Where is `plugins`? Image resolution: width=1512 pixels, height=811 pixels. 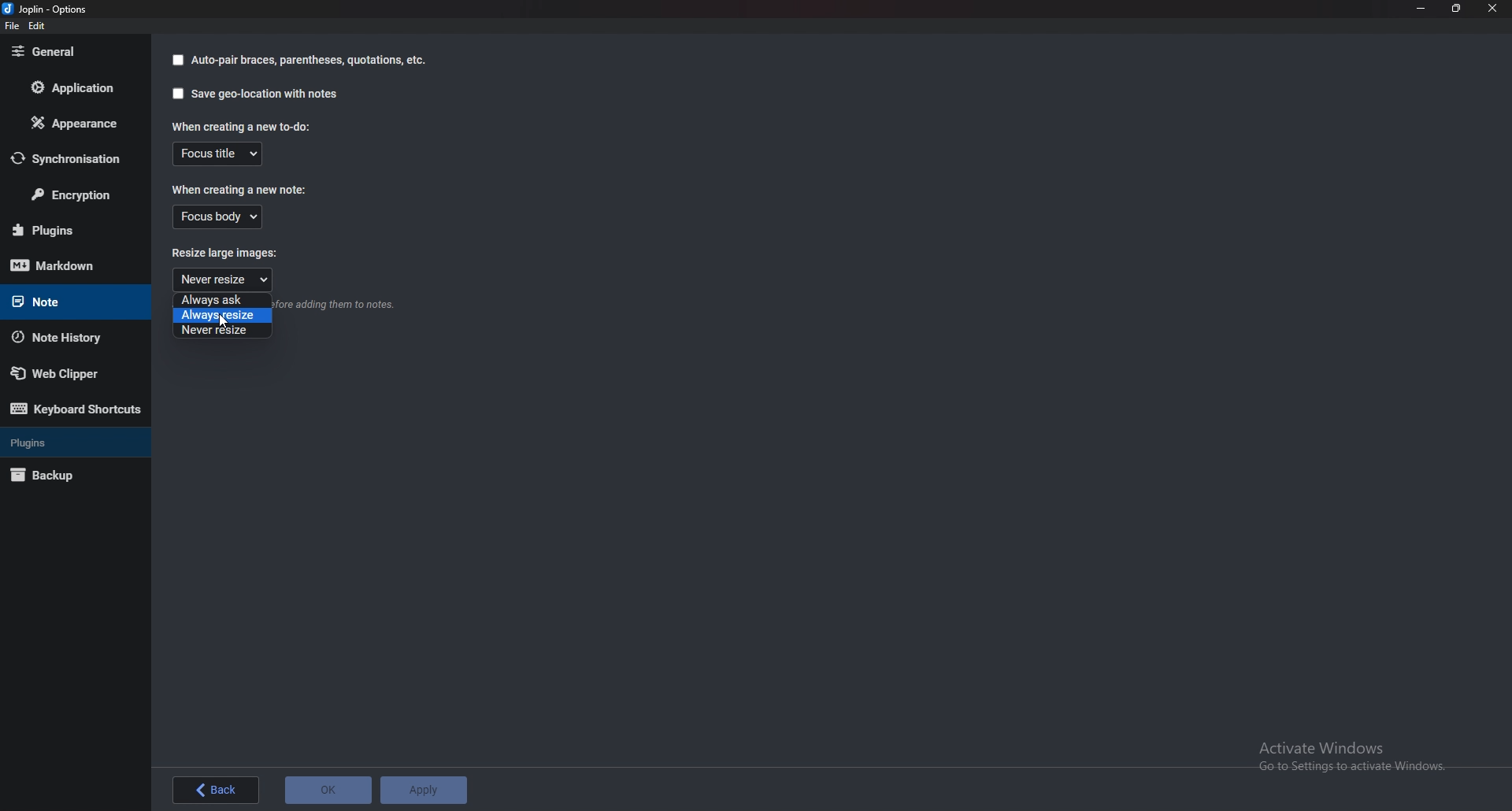
plugins is located at coordinates (65, 443).